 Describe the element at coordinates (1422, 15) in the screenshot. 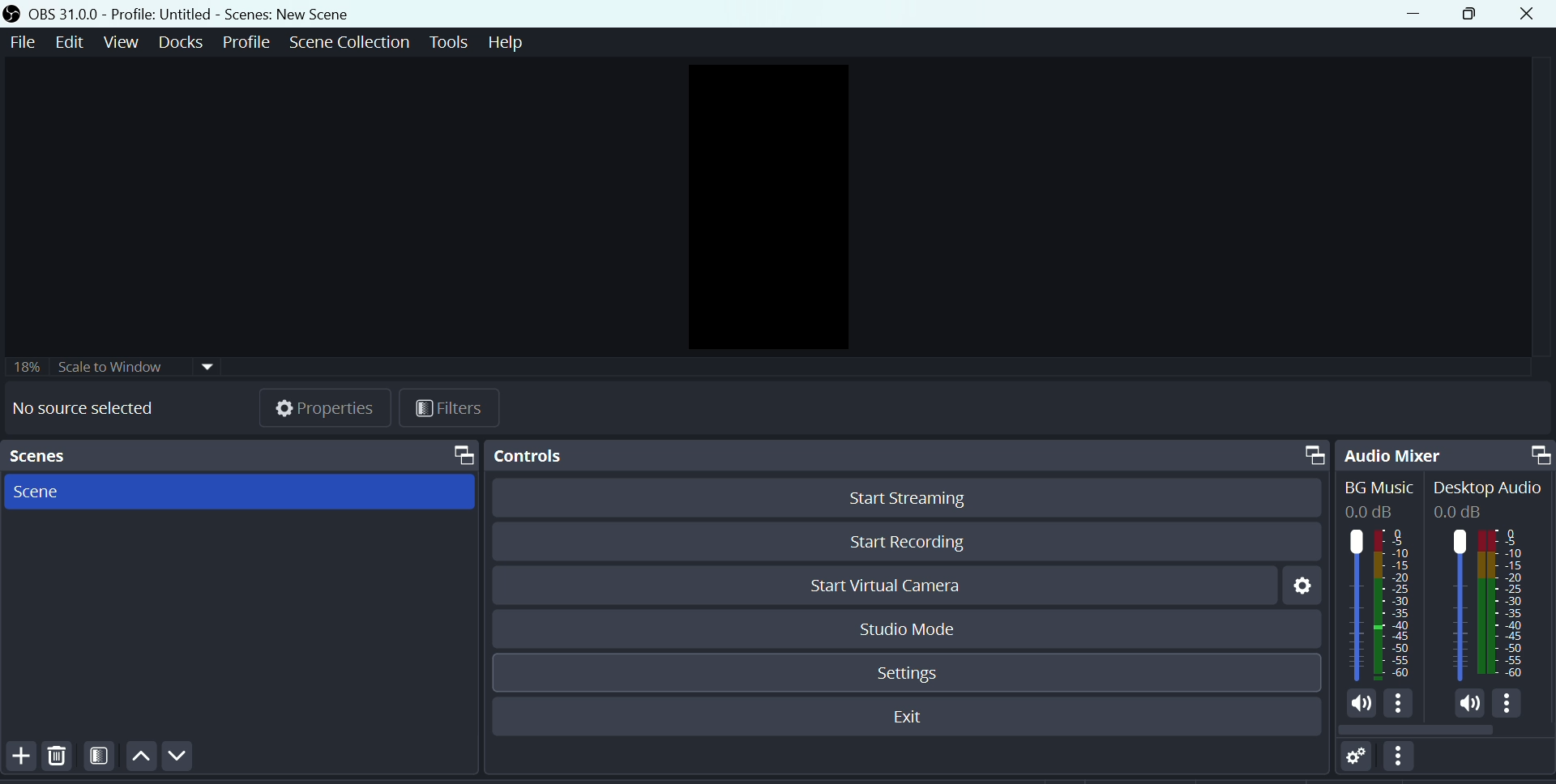

I see `minimise` at that location.